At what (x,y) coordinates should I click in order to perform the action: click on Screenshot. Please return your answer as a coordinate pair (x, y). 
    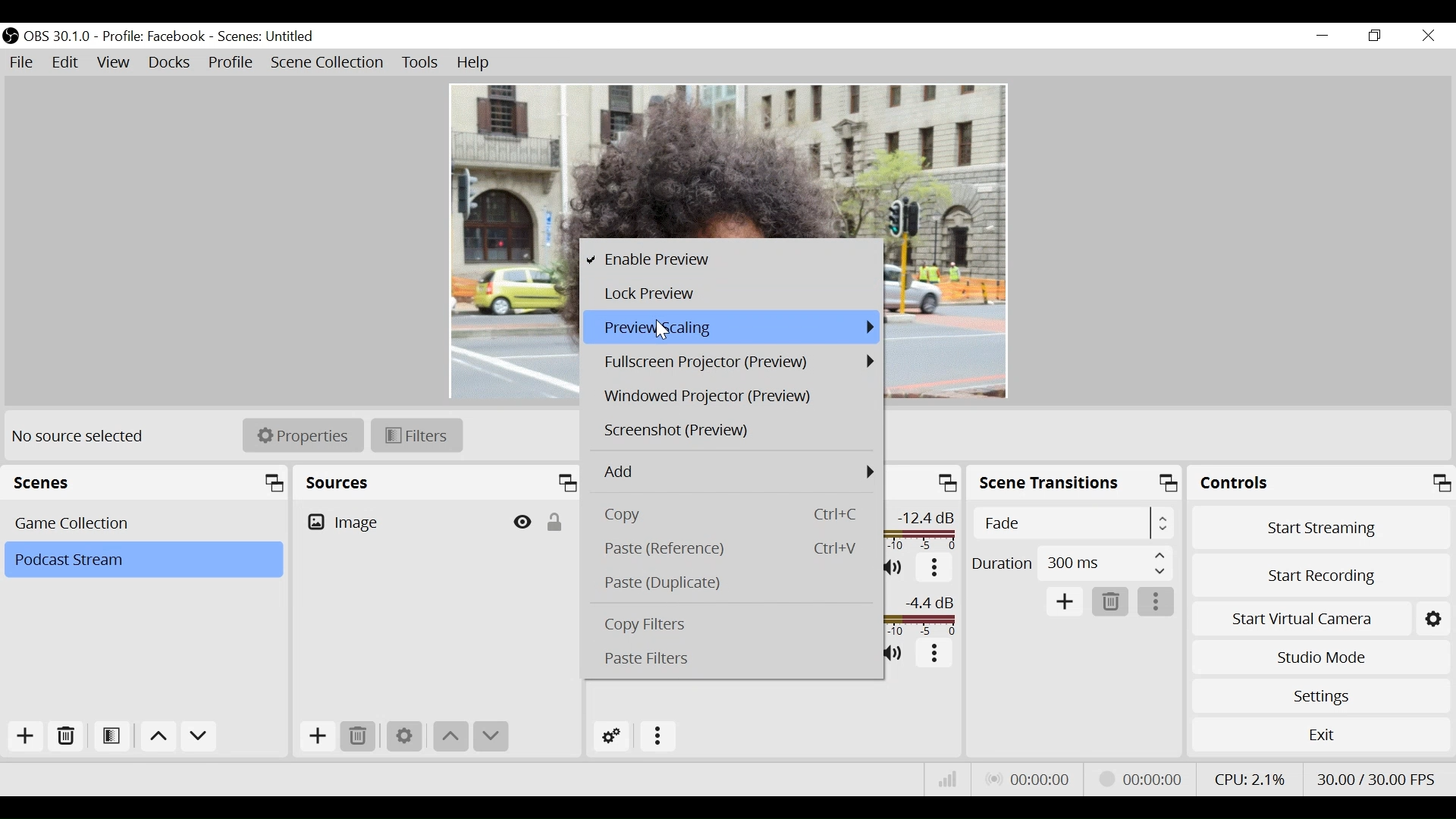
    Looking at the image, I should click on (731, 431).